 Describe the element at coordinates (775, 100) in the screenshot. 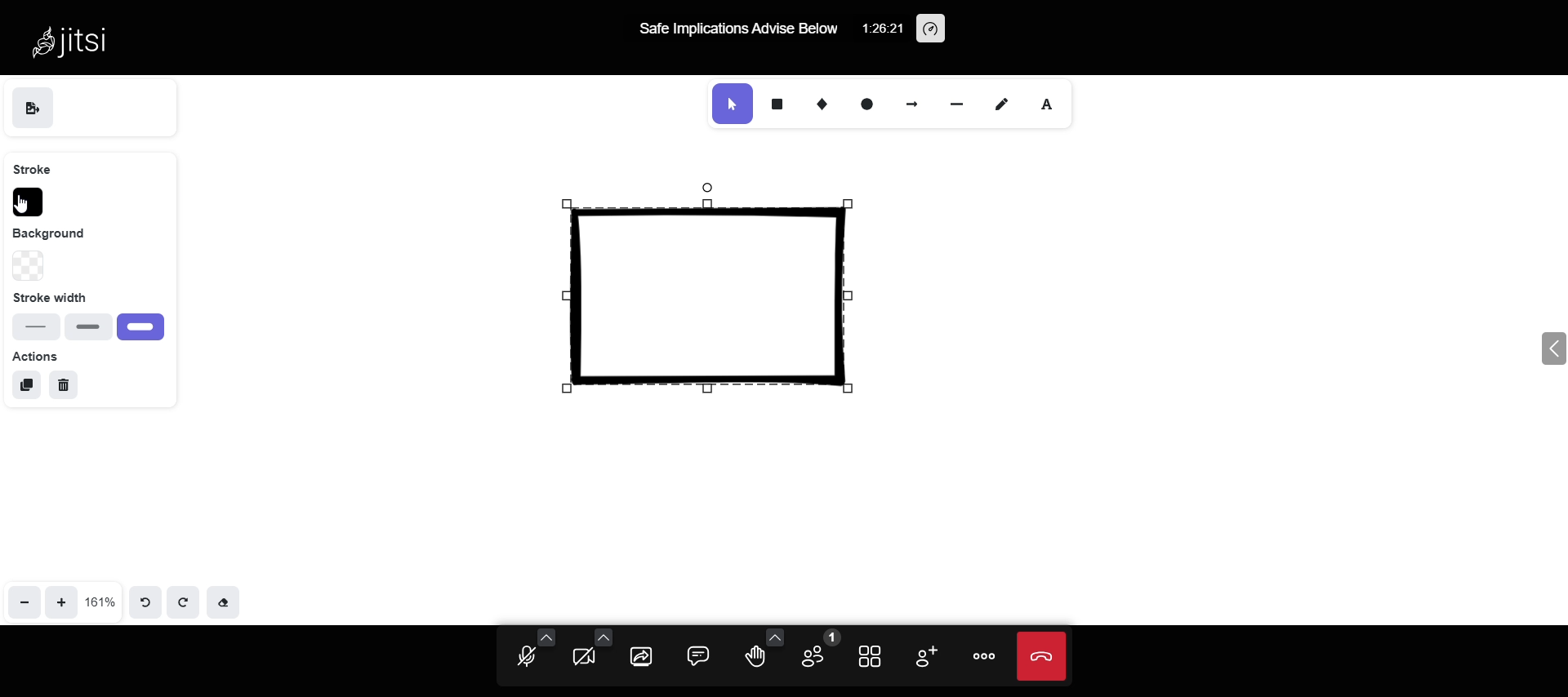

I see `rectangle` at that location.